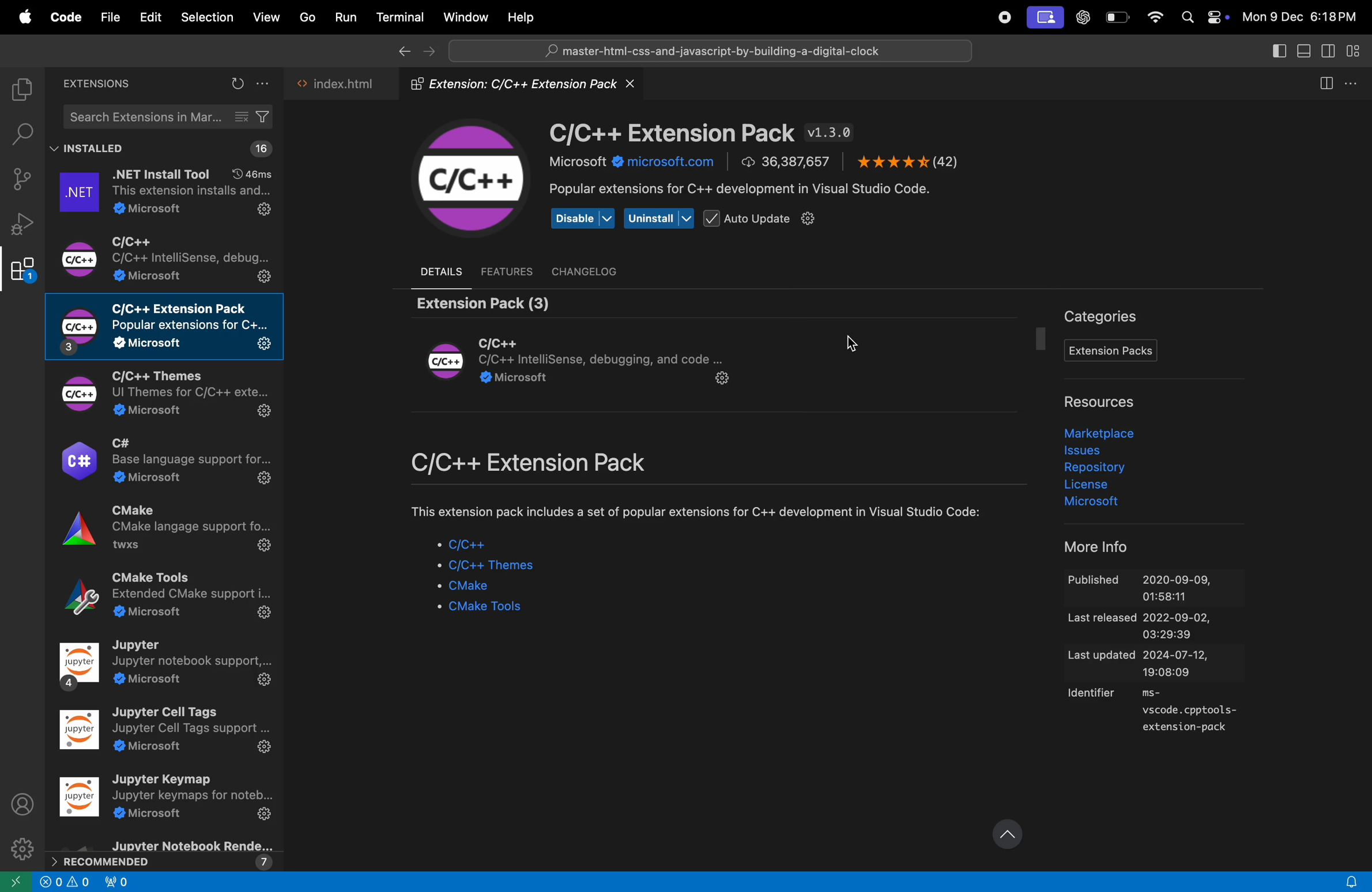 Image resolution: width=1372 pixels, height=892 pixels. Describe the element at coordinates (1158, 666) in the screenshot. I see `last updated` at that location.